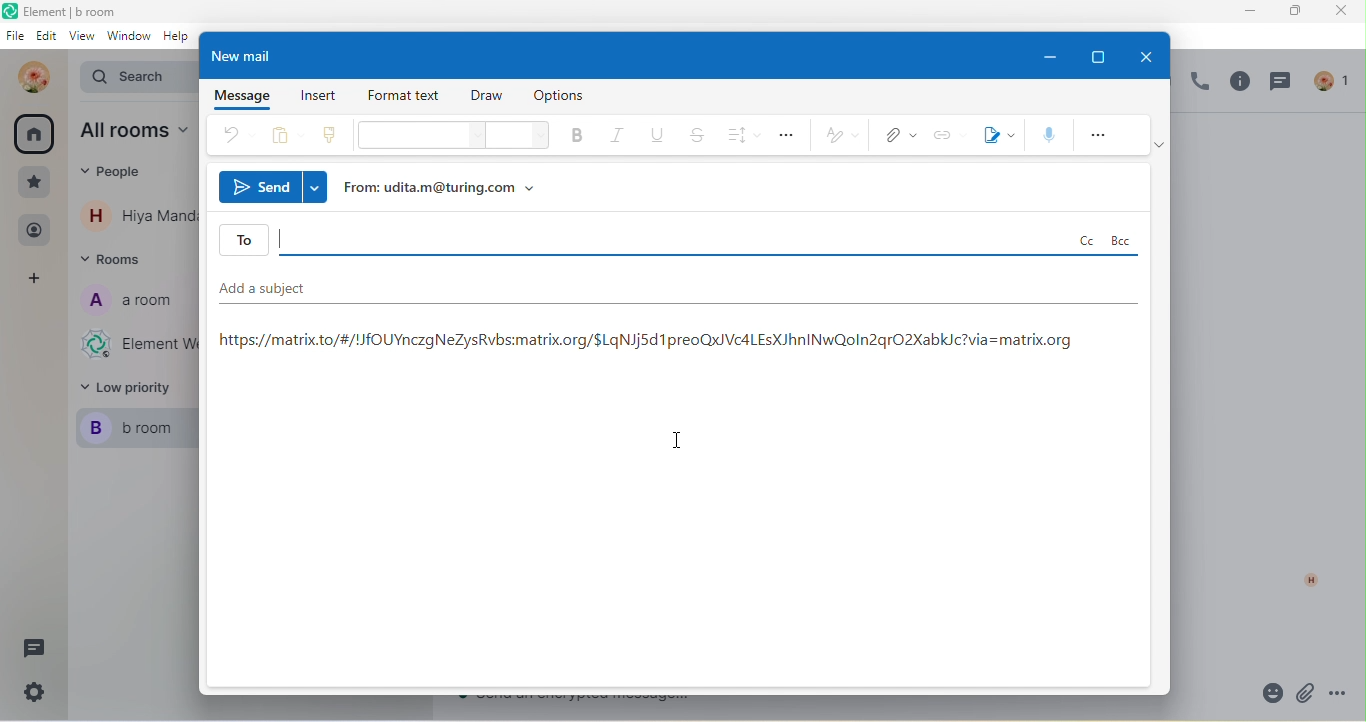 This screenshot has width=1366, height=722. What do you see at coordinates (491, 98) in the screenshot?
I see `draw` at bounding box center [491, 98].